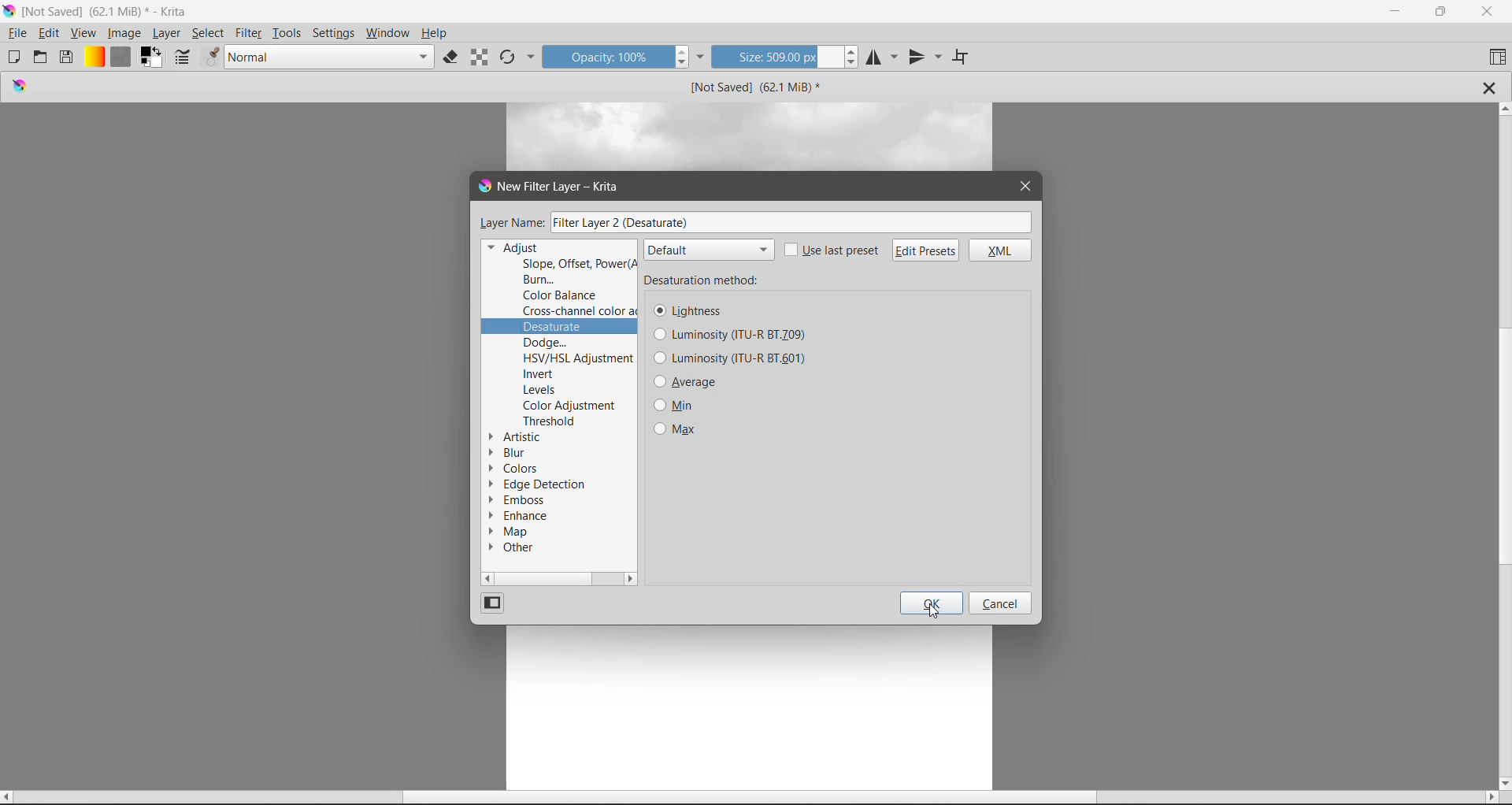  Describe the element at coordinates (83, 33) in the screenshot. I see `View` at that location.